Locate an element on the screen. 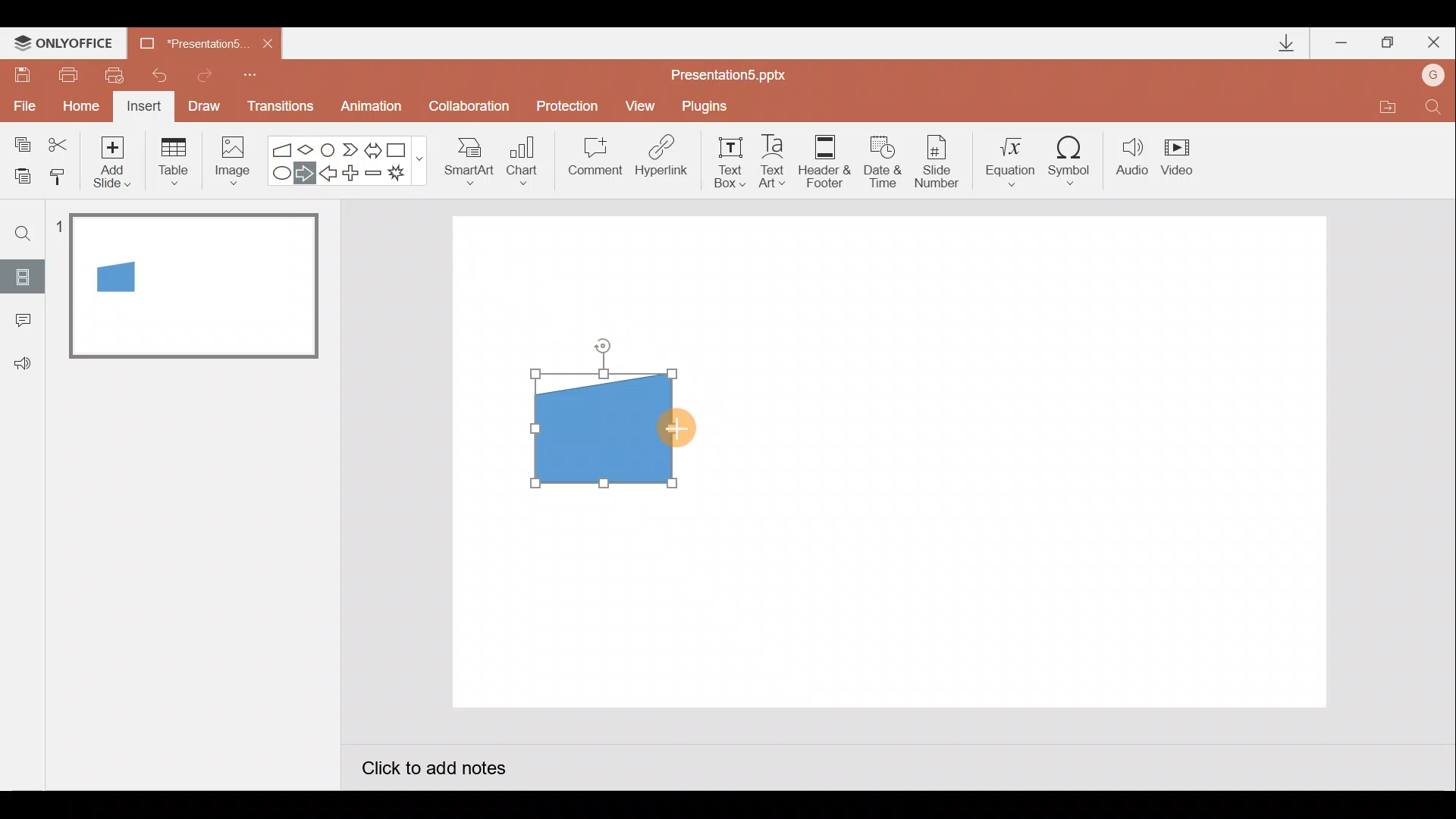  Feedback & support is located at coordinates (24, 362).